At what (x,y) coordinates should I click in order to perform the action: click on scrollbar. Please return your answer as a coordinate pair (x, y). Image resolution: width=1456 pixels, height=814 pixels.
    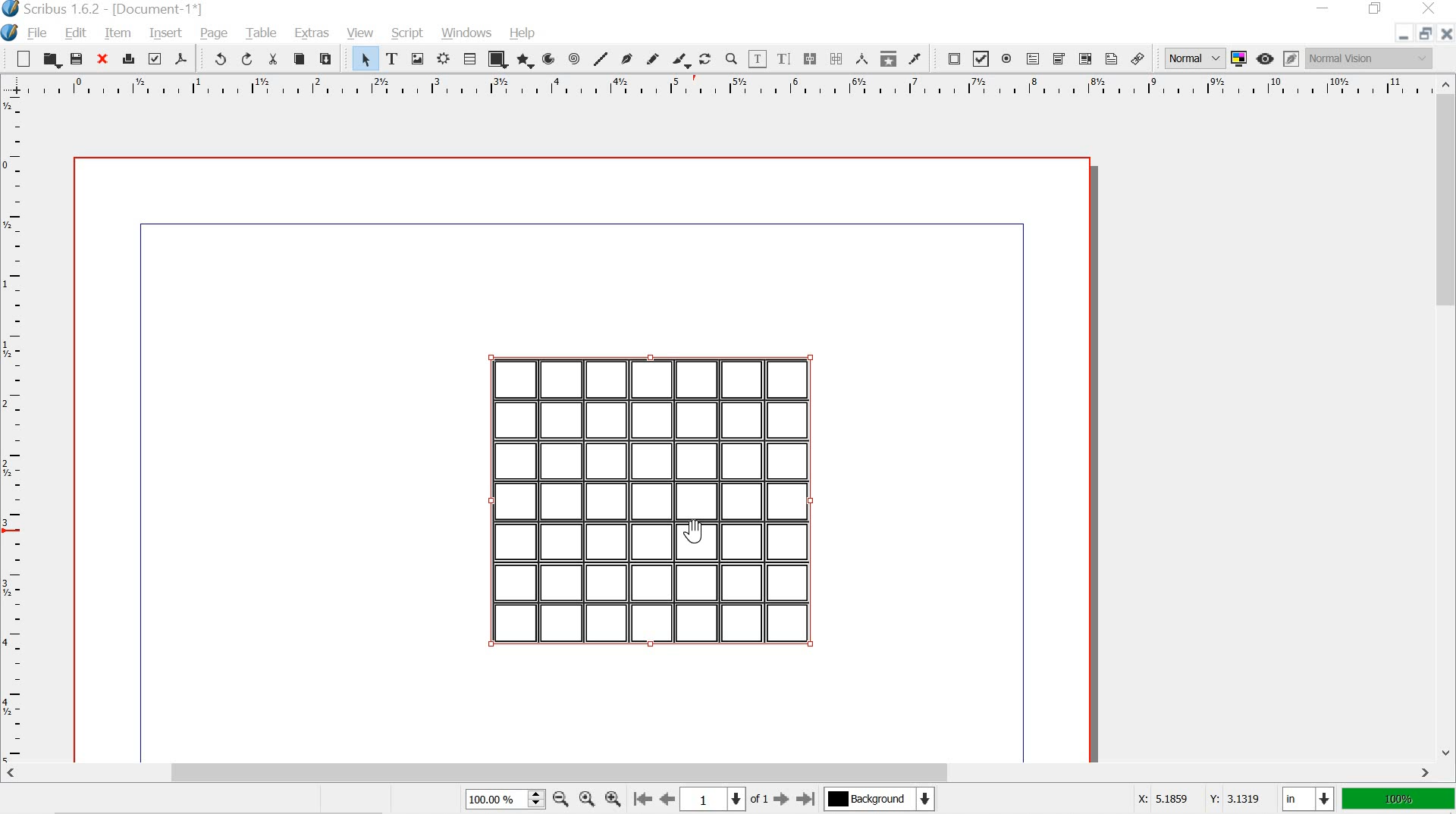
    Looking at the image, I should click on (720, 773).